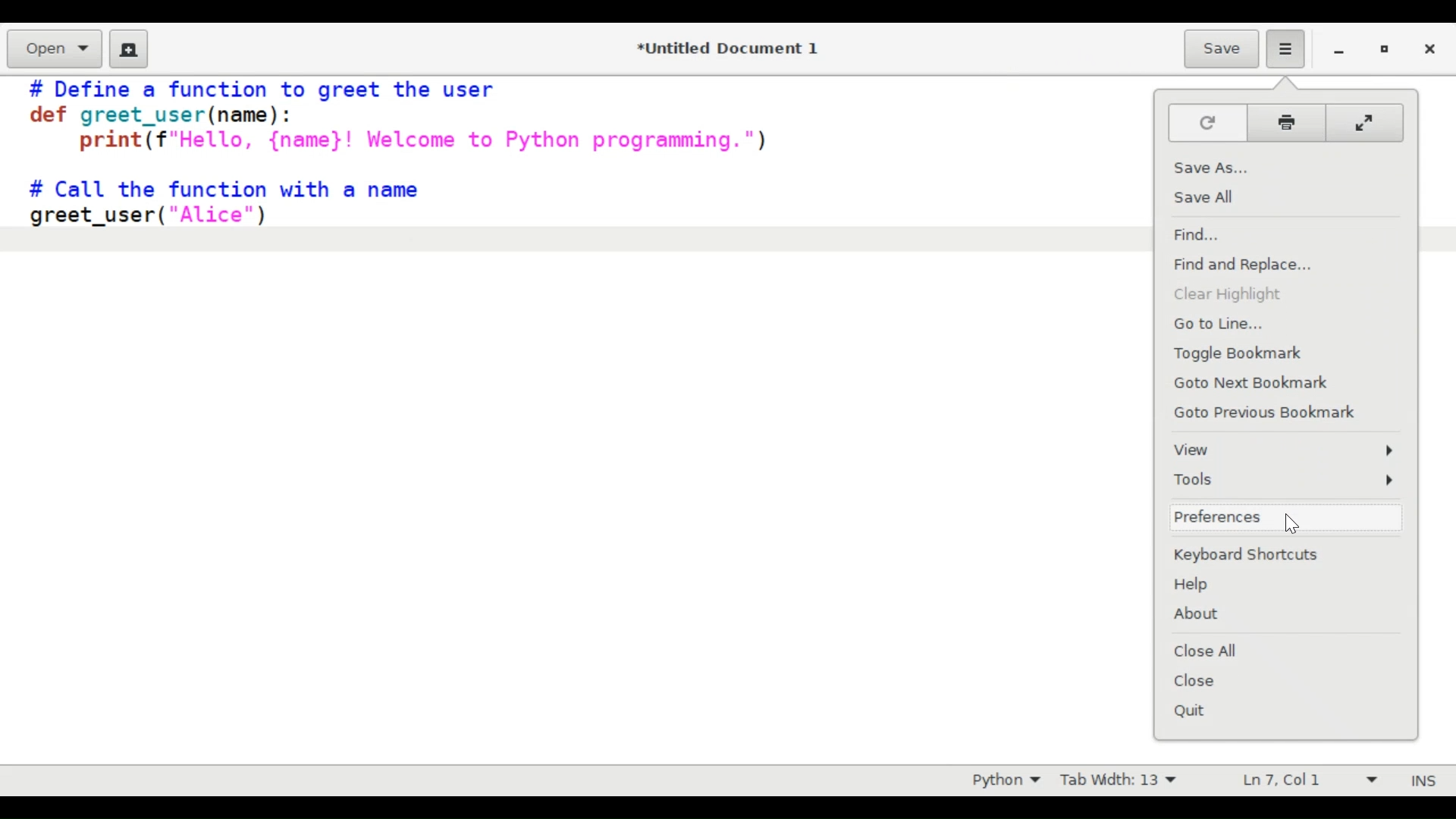  Describe the element at coordinates (1272, 555) in the screenshot. I see `Keyboard Shortcut` at that location.